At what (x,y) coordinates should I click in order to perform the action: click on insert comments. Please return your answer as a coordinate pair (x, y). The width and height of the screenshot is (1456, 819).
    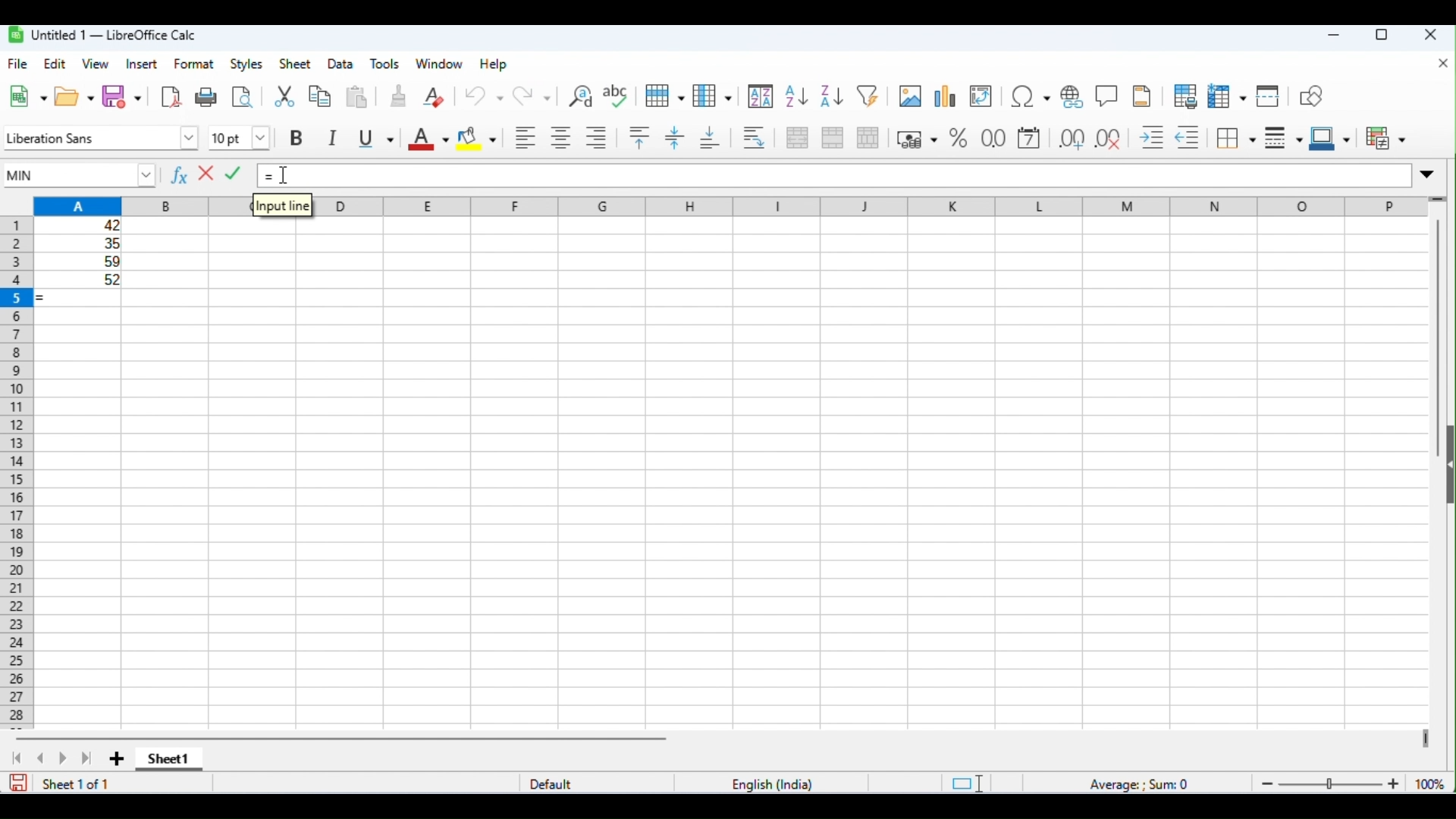
    Looking at the image, I should click on (1106, 96).